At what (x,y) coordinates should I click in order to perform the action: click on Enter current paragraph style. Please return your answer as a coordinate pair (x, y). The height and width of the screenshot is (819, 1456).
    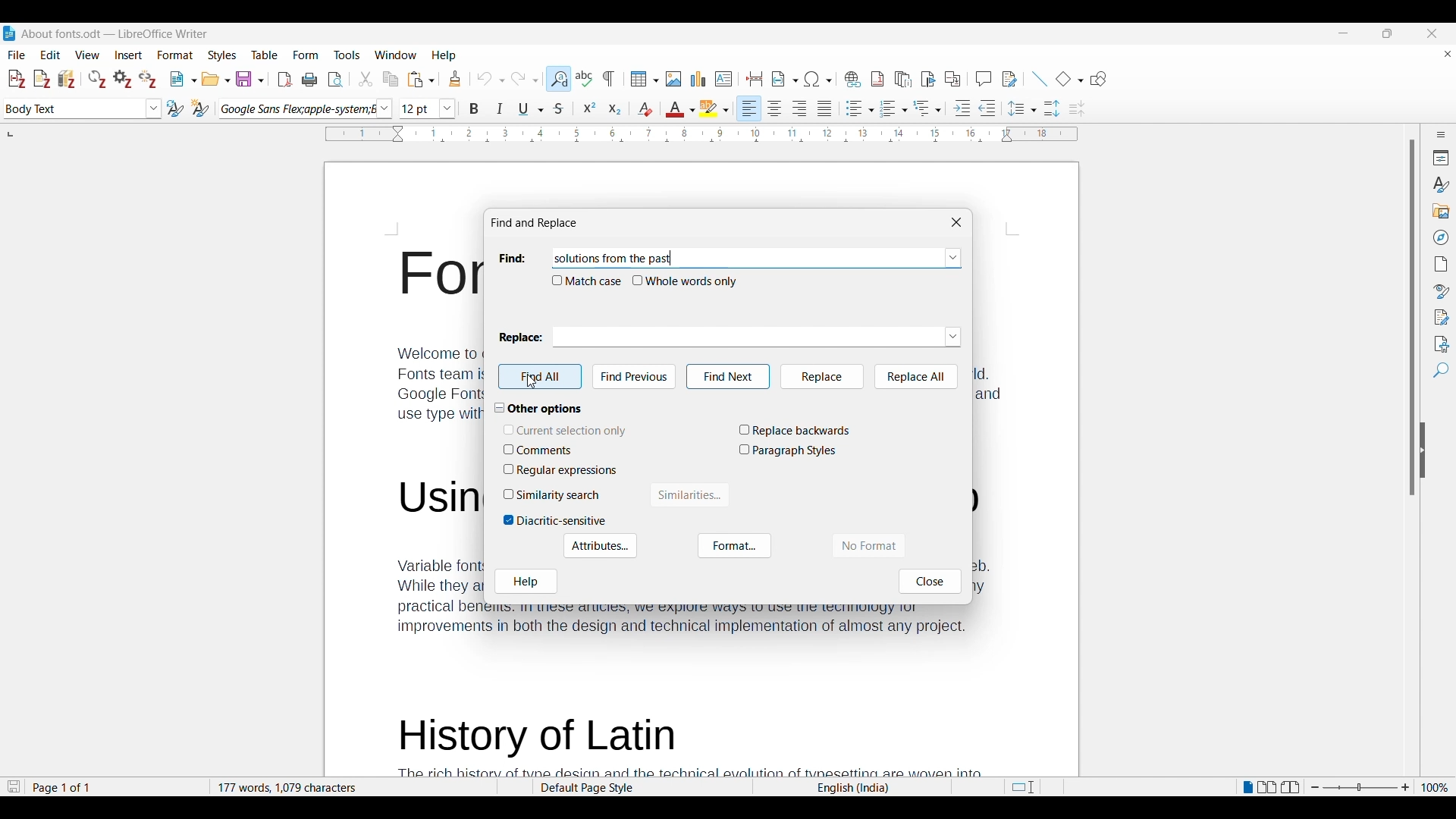
    Looking at the image, I should click on (73, 108).